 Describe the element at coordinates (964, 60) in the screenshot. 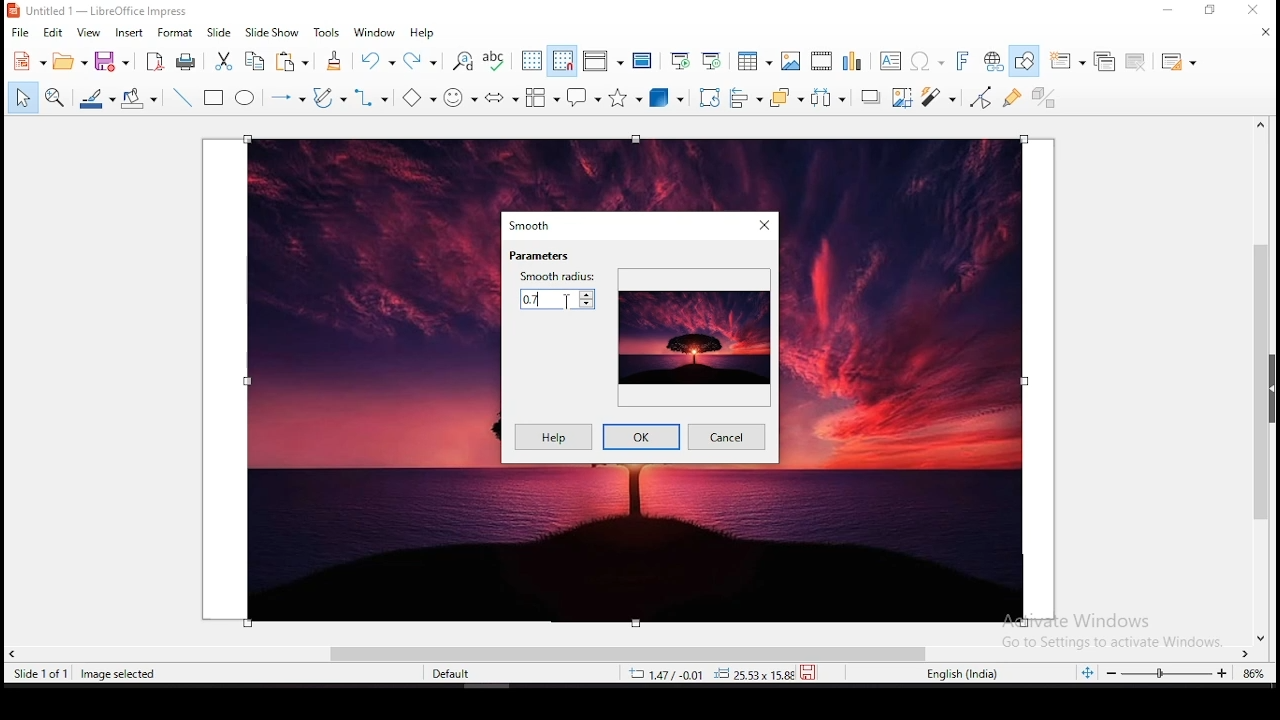

I see `insert fontwork text` at that location.